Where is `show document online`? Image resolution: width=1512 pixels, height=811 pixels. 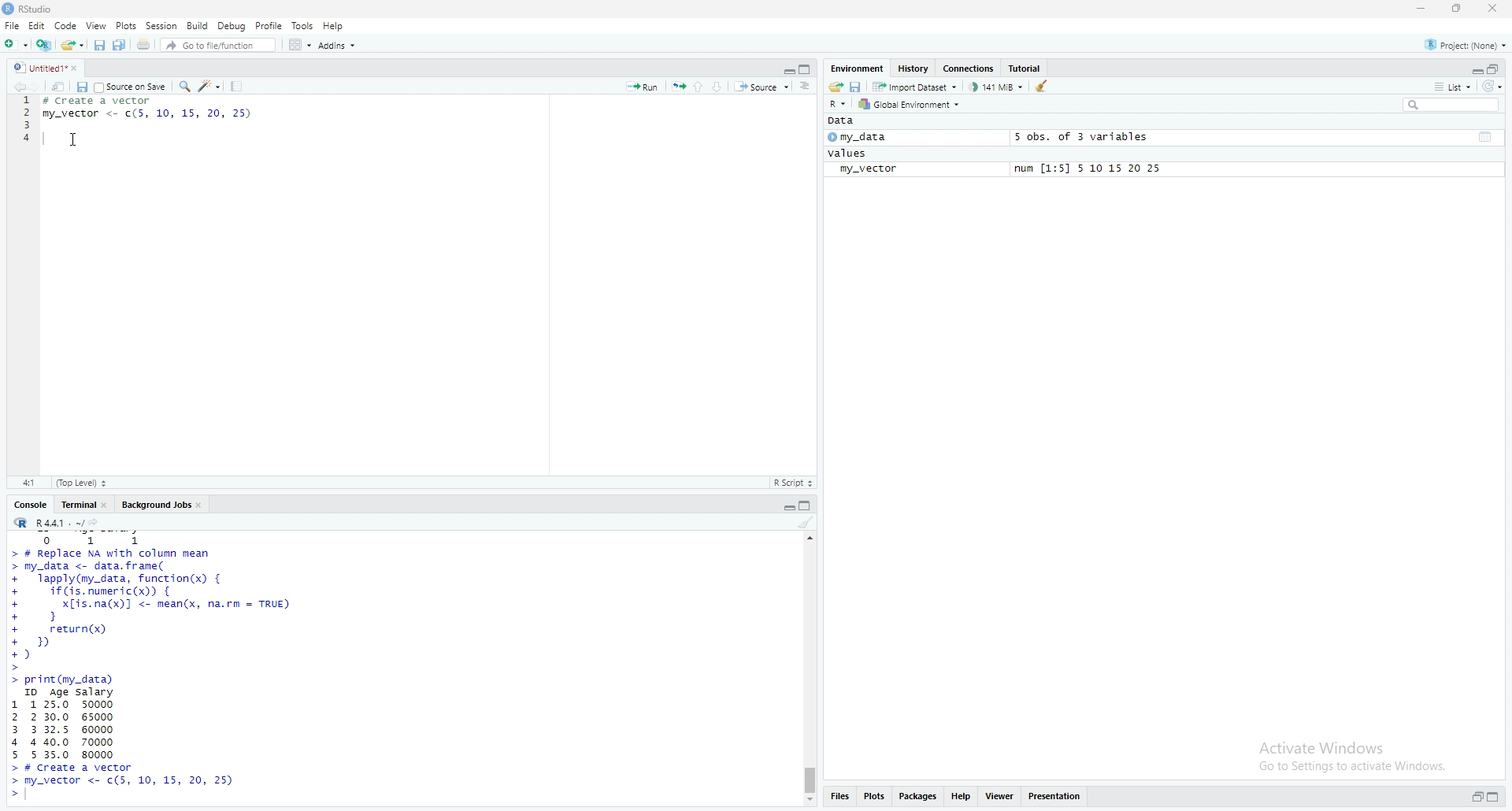
show document online is located at coordinates (810, 87).